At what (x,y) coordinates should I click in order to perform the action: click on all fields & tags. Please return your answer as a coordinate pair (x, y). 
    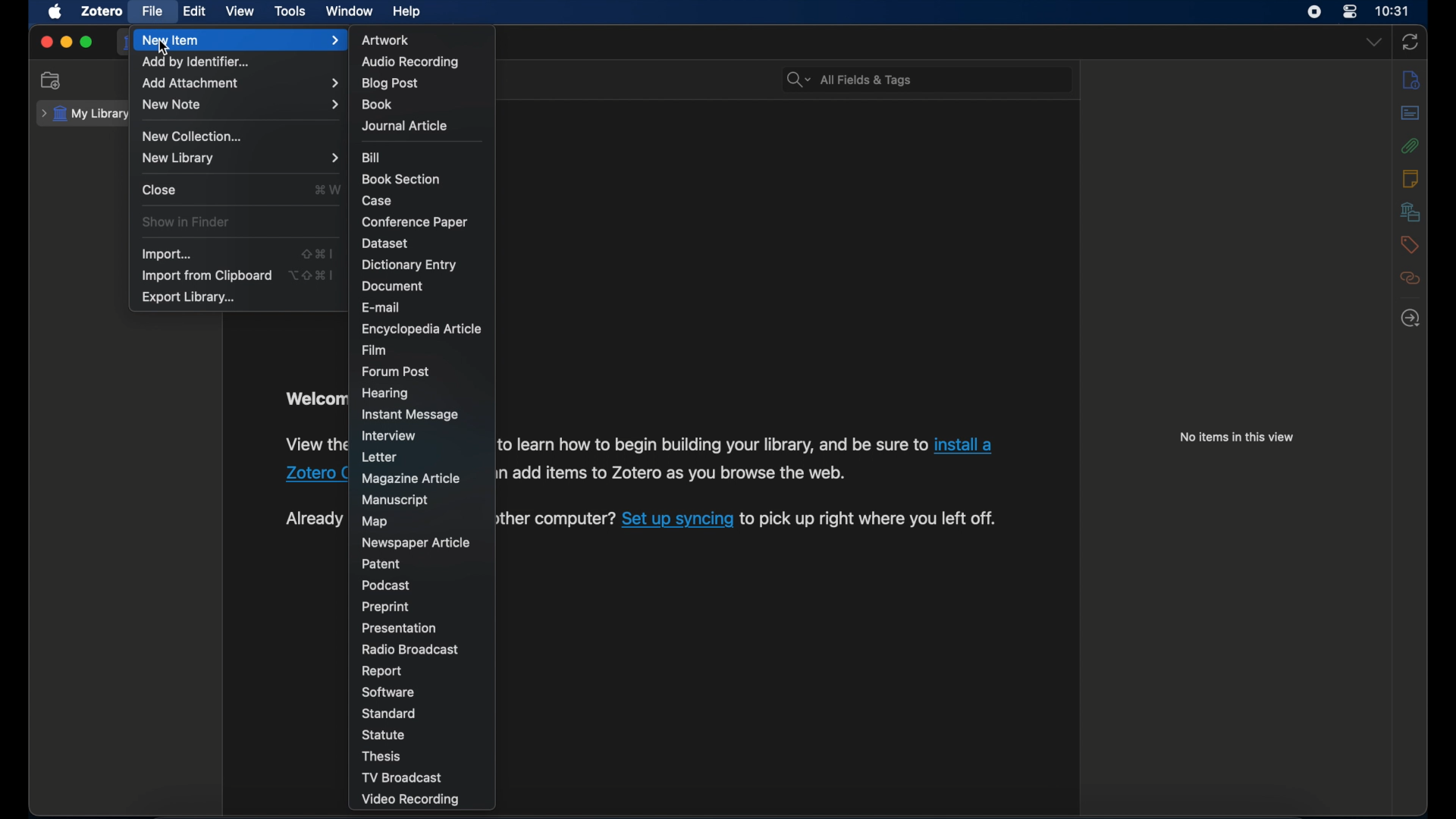
    Looking at the image, I should click on (849, 79).